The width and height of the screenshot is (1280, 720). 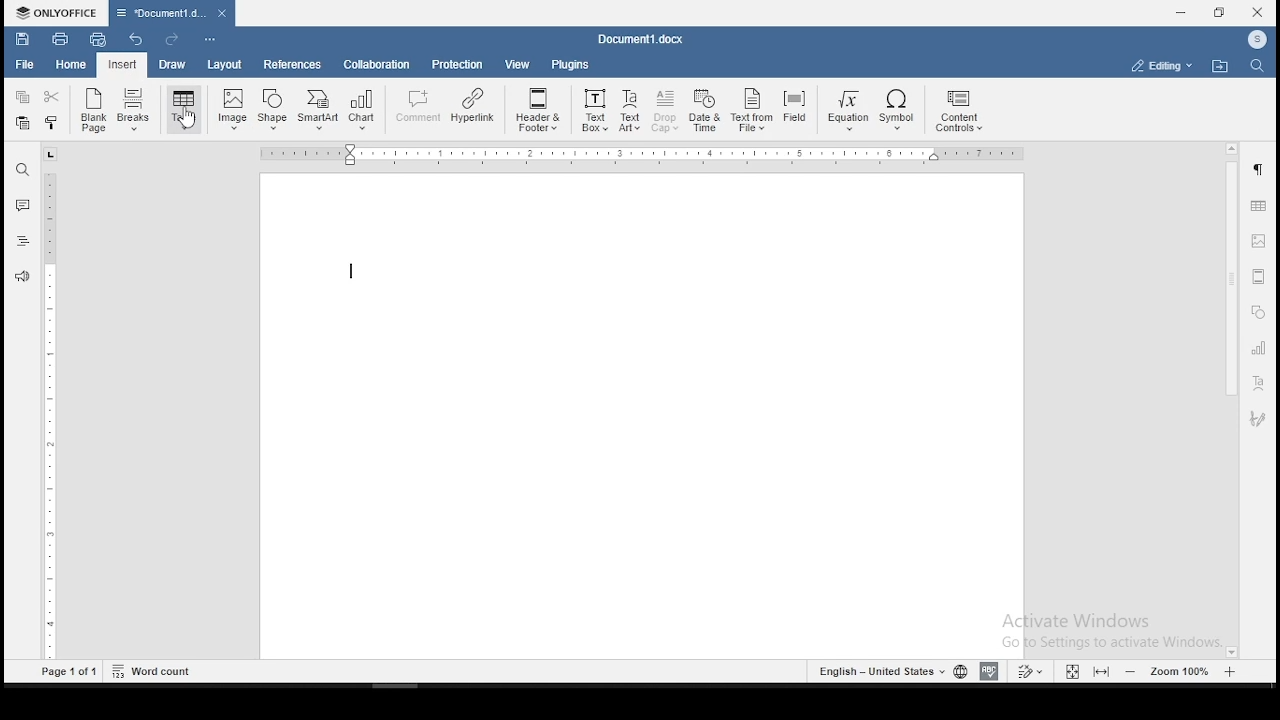 What do you see at coordinates (646, 155) in the screenshot?
I see `Ruler` at bounding box center [646, 155].